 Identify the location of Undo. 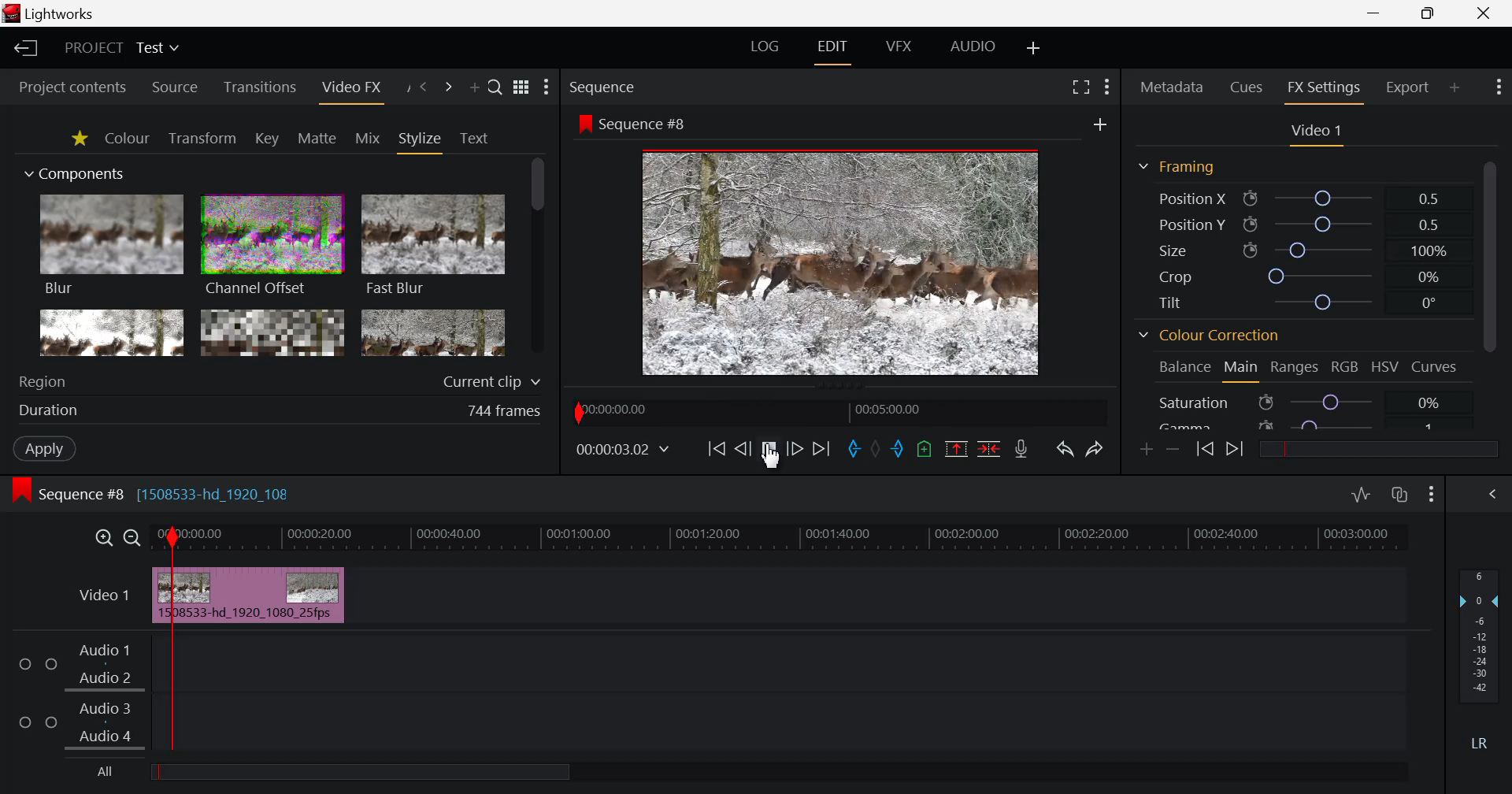
(1065, 451).